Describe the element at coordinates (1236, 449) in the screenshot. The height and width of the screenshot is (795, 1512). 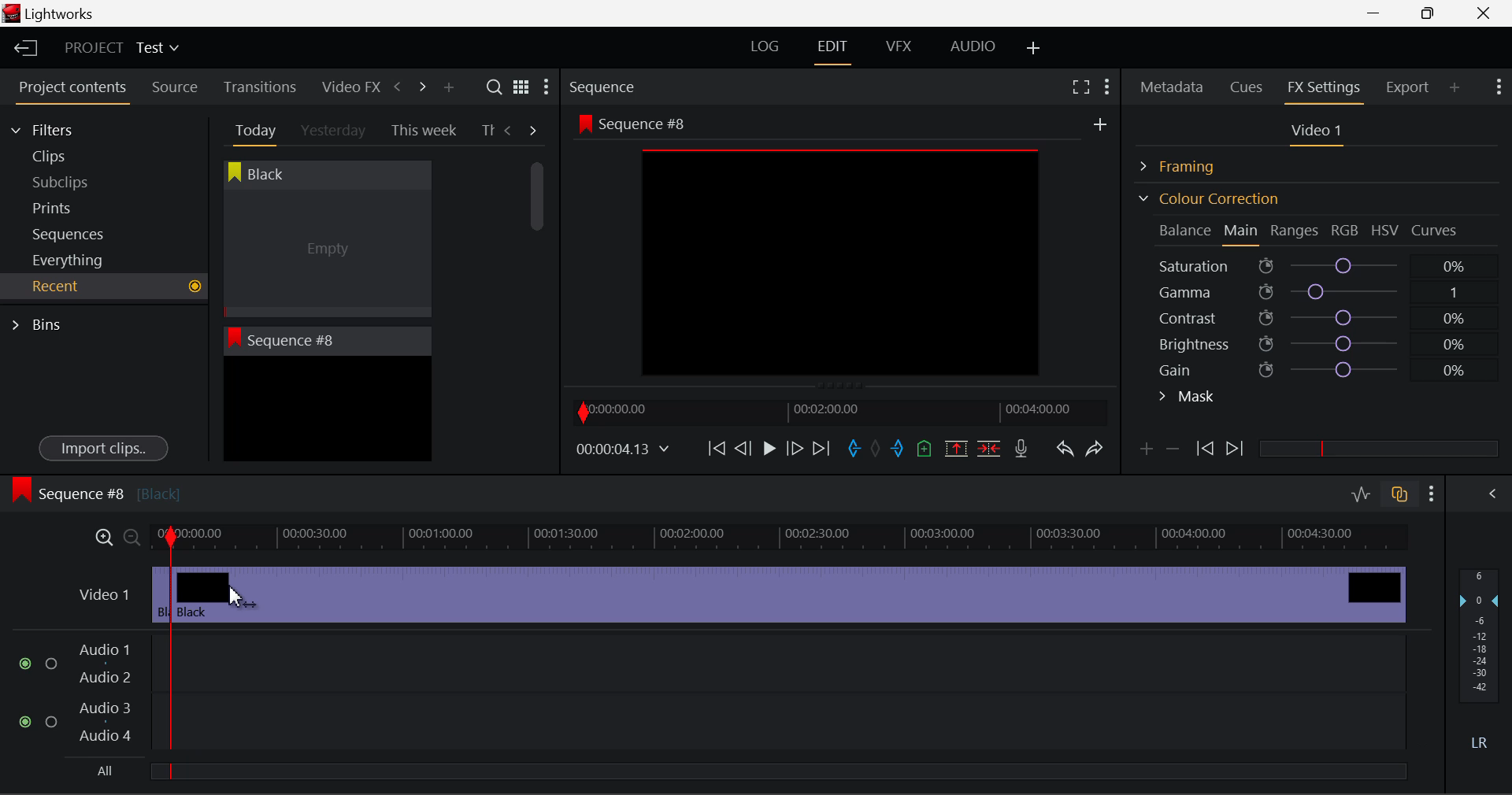
I see `Next keyframe` at that location.